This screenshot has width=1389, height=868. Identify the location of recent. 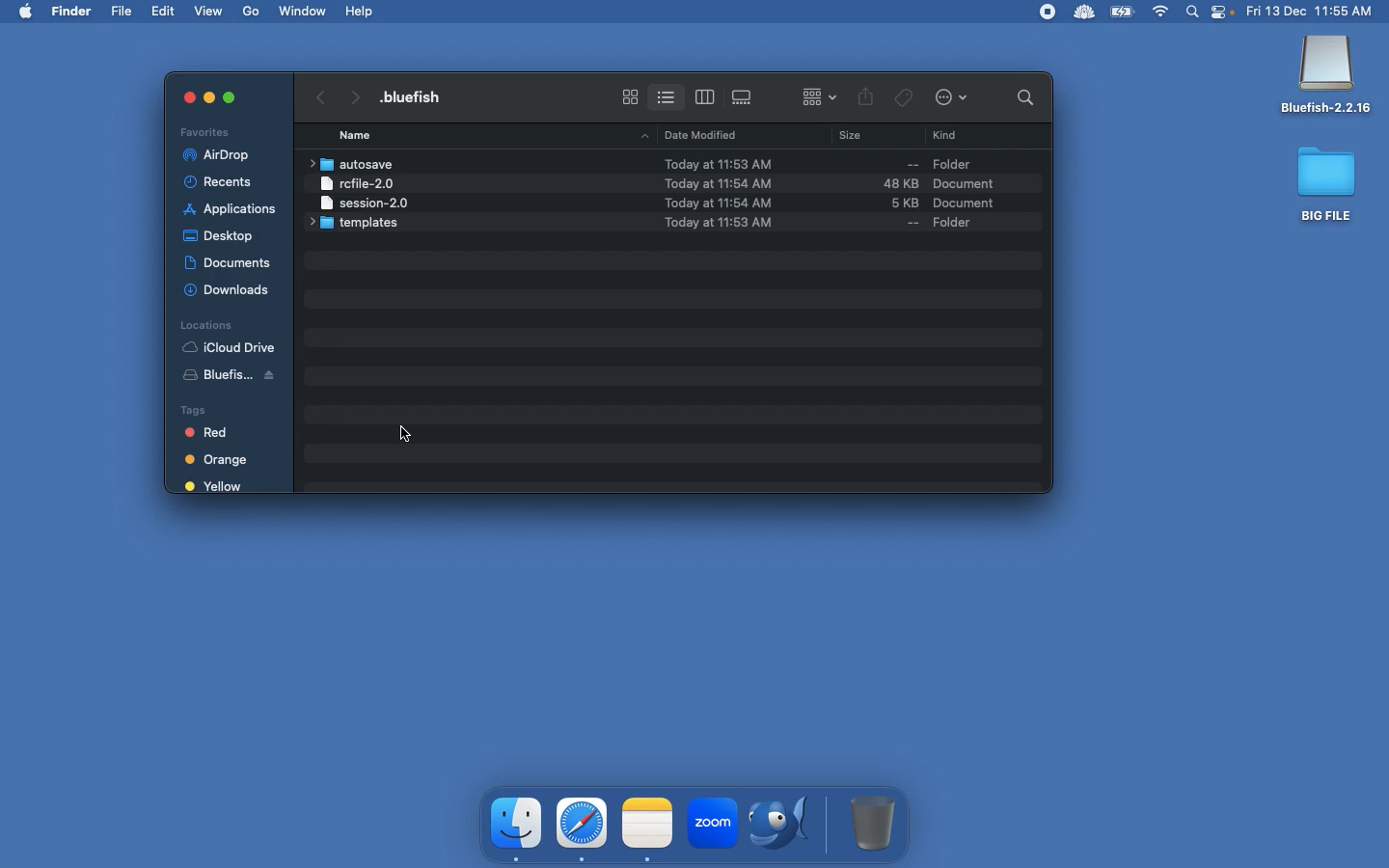
(226, 182).